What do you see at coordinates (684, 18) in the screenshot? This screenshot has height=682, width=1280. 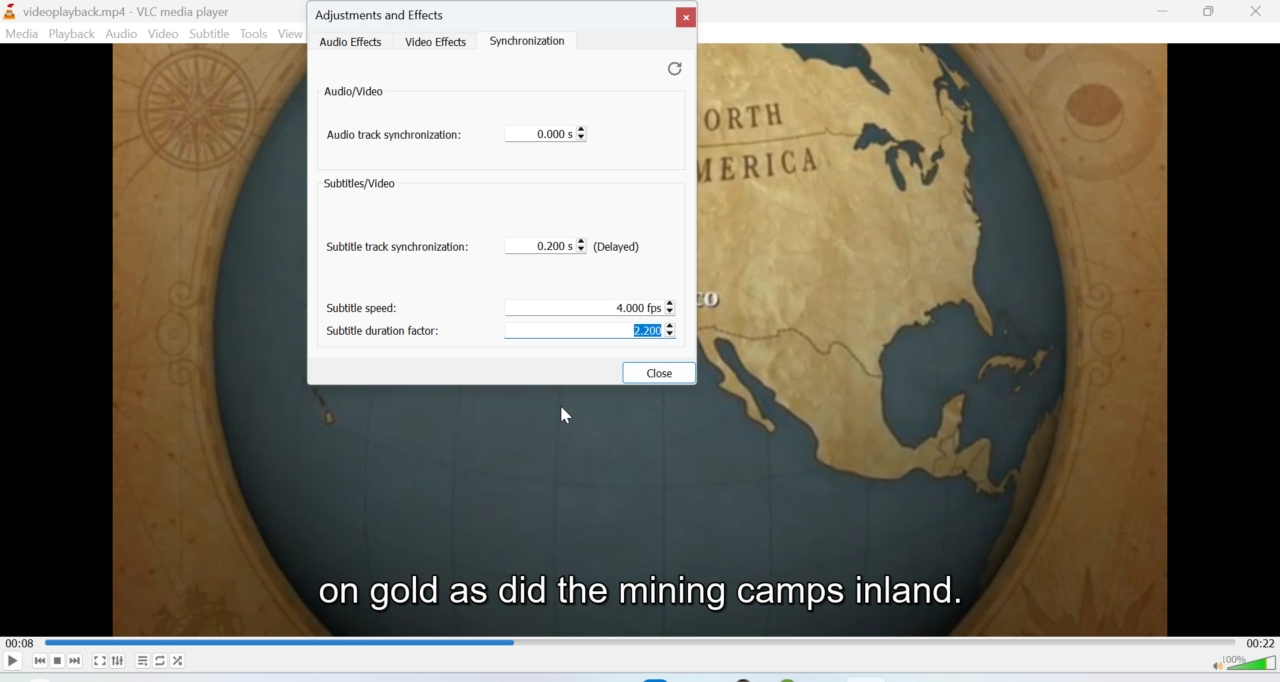 I see `Close` at bounding box center [684, 18].